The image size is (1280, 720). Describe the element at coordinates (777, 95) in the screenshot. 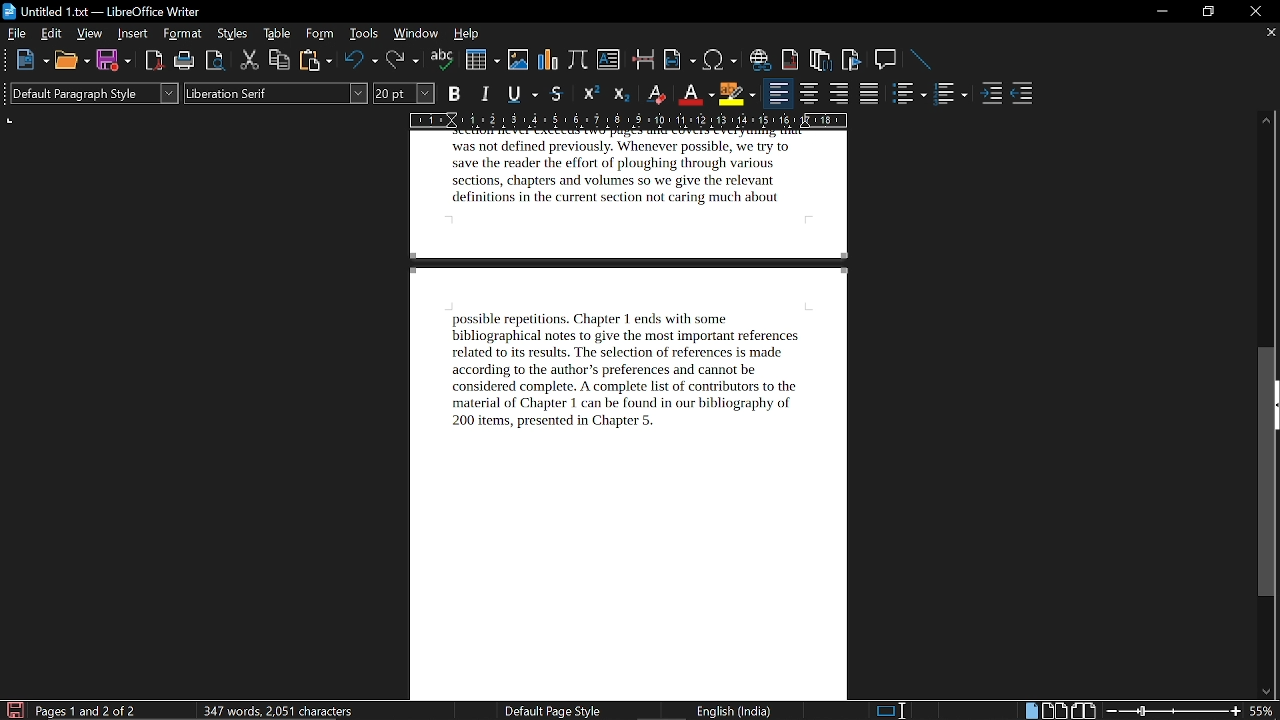

I see `align left` at that location.